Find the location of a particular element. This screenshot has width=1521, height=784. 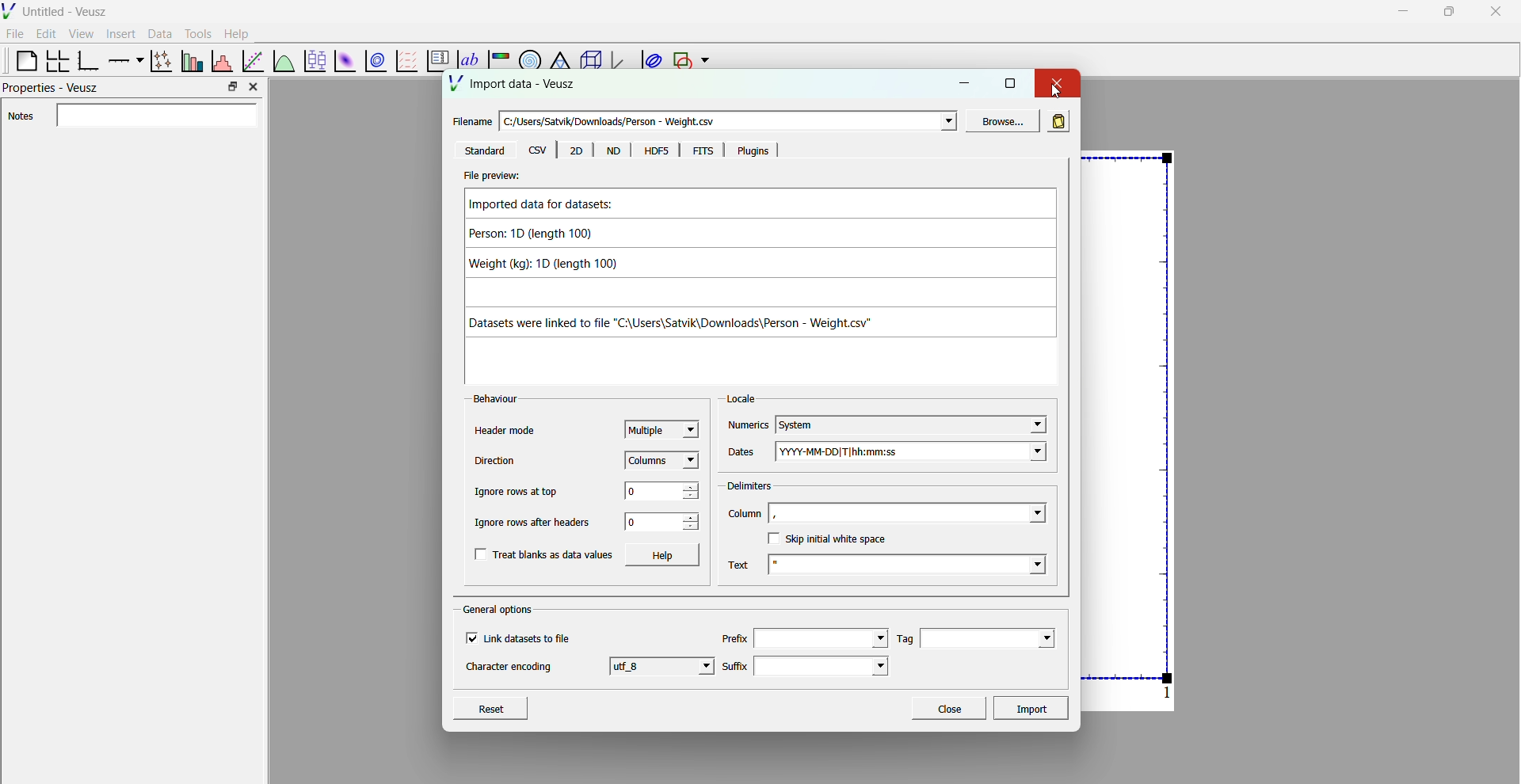

close is located at coordinates (1496, 12).